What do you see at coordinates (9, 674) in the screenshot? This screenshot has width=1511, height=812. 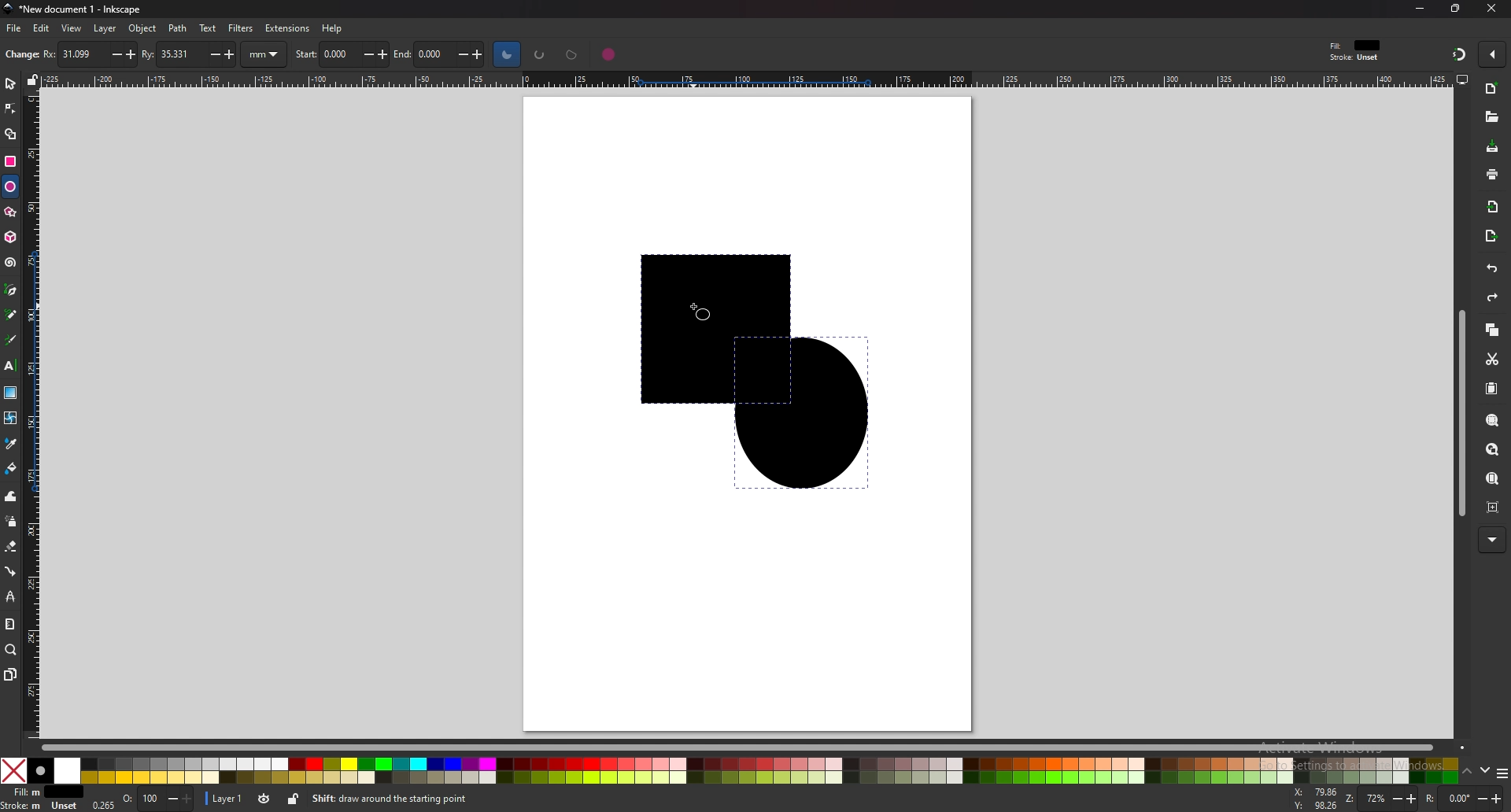 I see `pages` at bounding box center [9, 674].